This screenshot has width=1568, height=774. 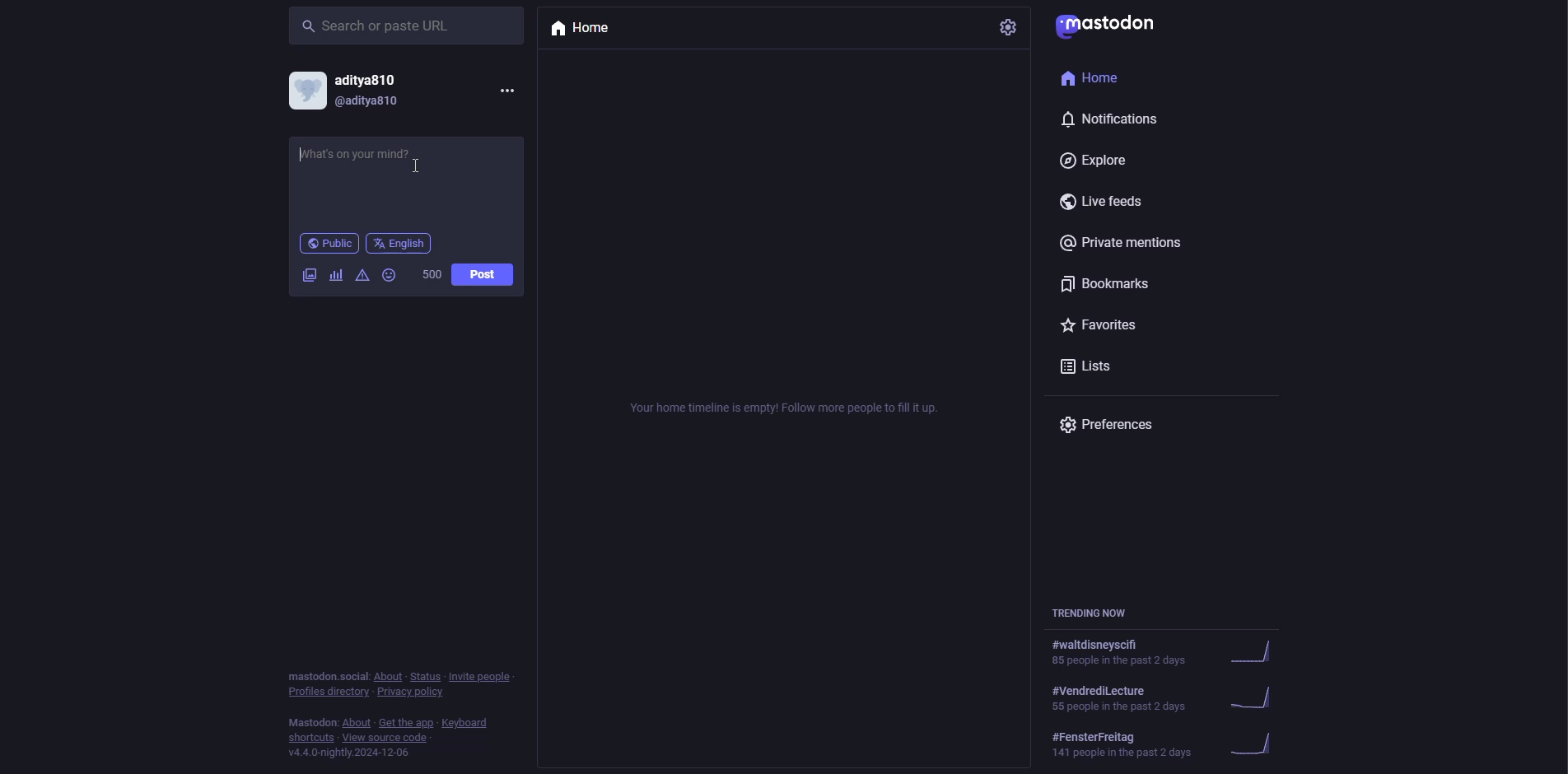 What do you see at coordinates (1101, 162) in the screenshot?
I see `explore` at bounding box center [1101, 162].